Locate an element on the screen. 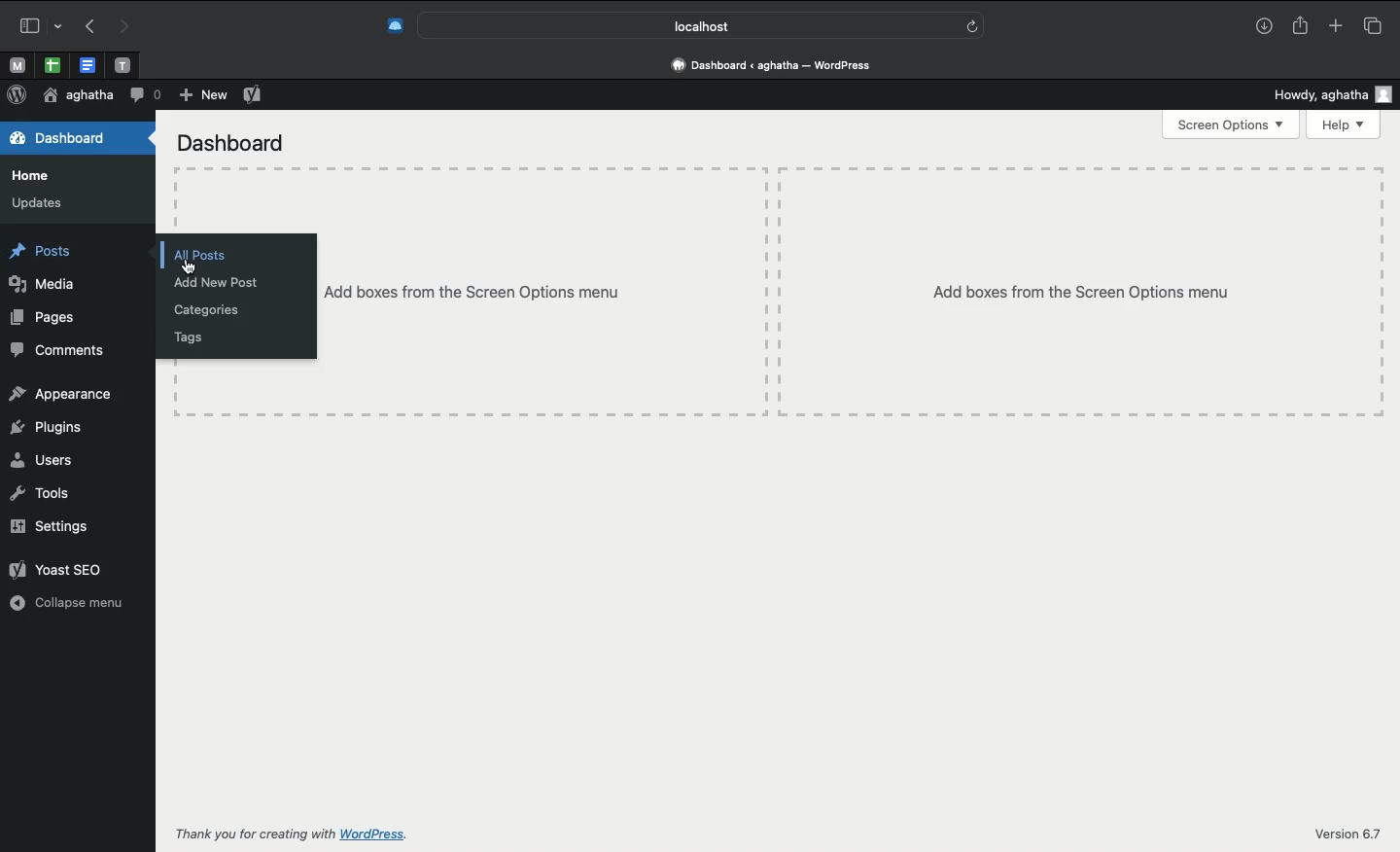  Thank you for creating with wordpress is located at coordinates (322, 834).